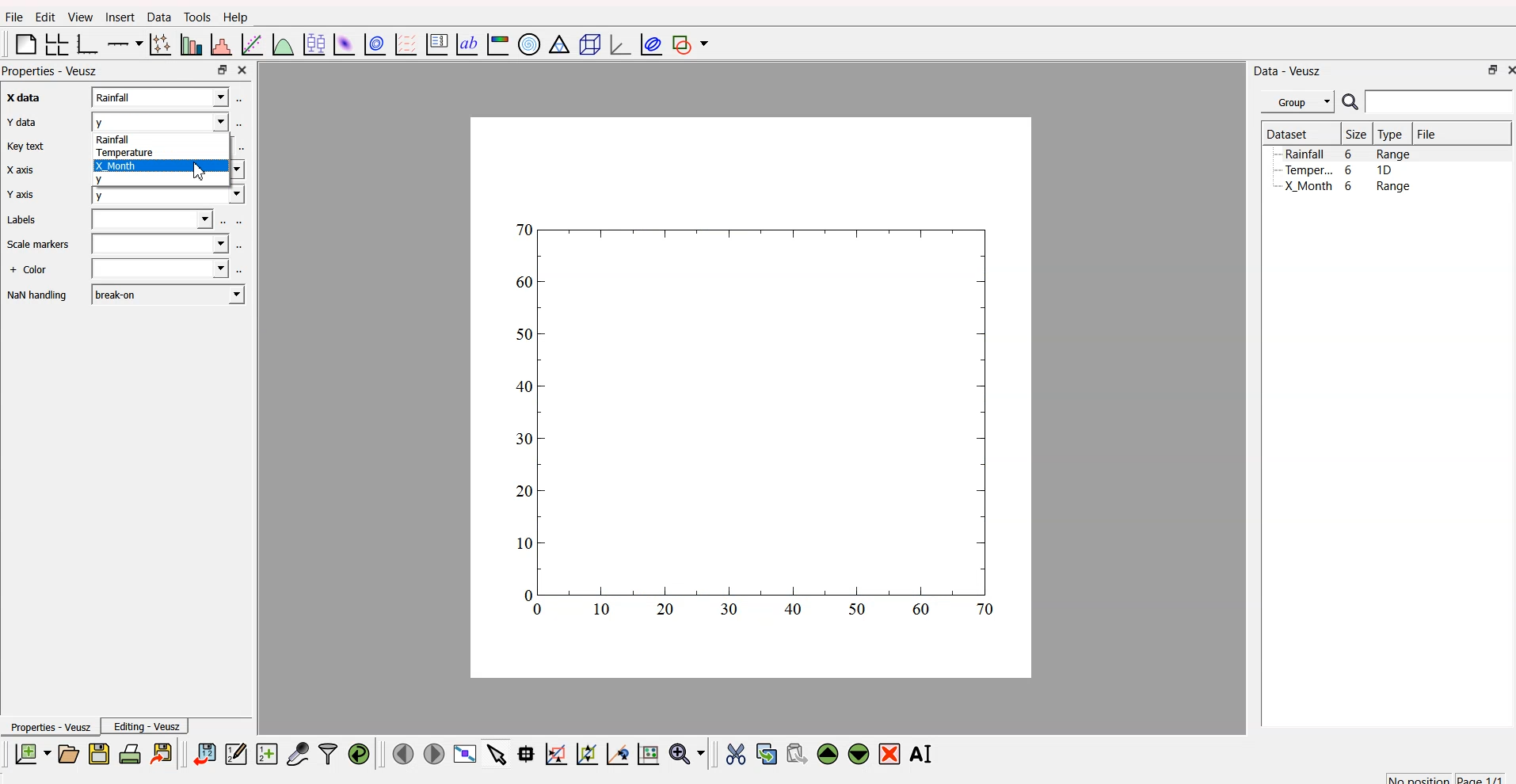 This screenshot has width=1516, height=784. What do you see at coordinates (328, 752) in the screenshot?
I see `filter data` at bounding box center [328, 752].